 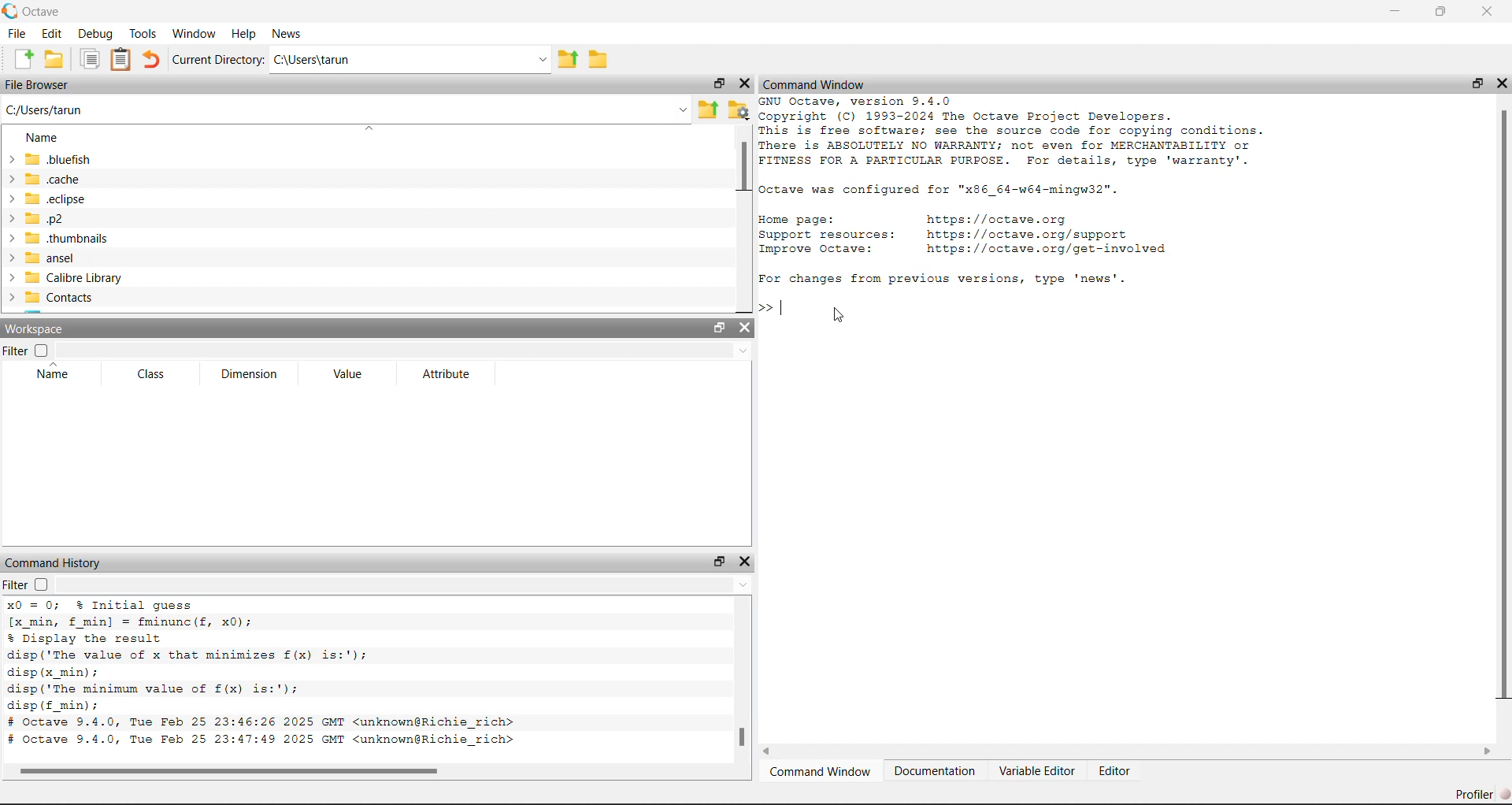 I want to click on Command Window, so click(x=817, y=83).